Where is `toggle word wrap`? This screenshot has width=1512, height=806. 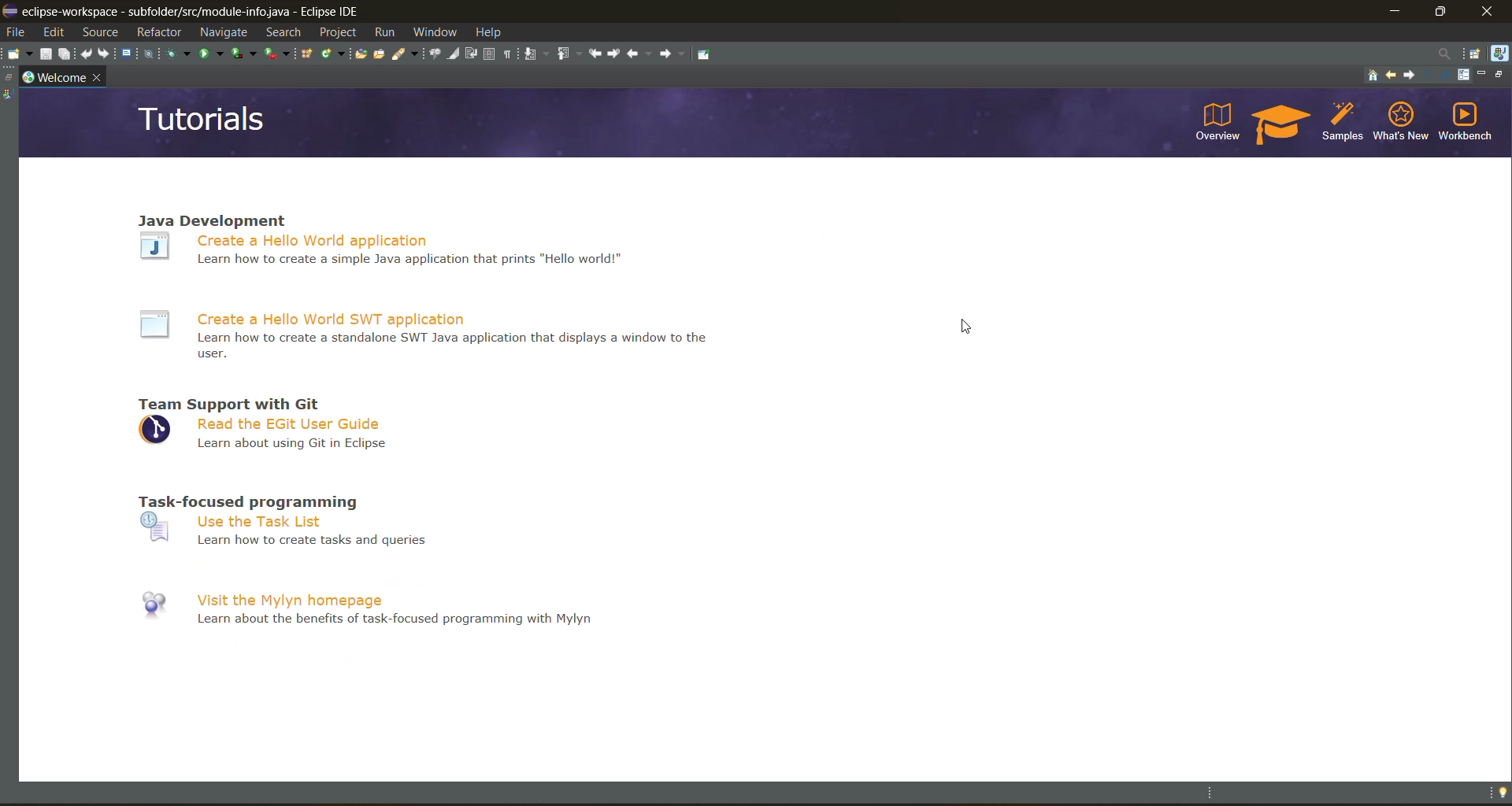 toggle word wrap is located at coordinates (472, 55).